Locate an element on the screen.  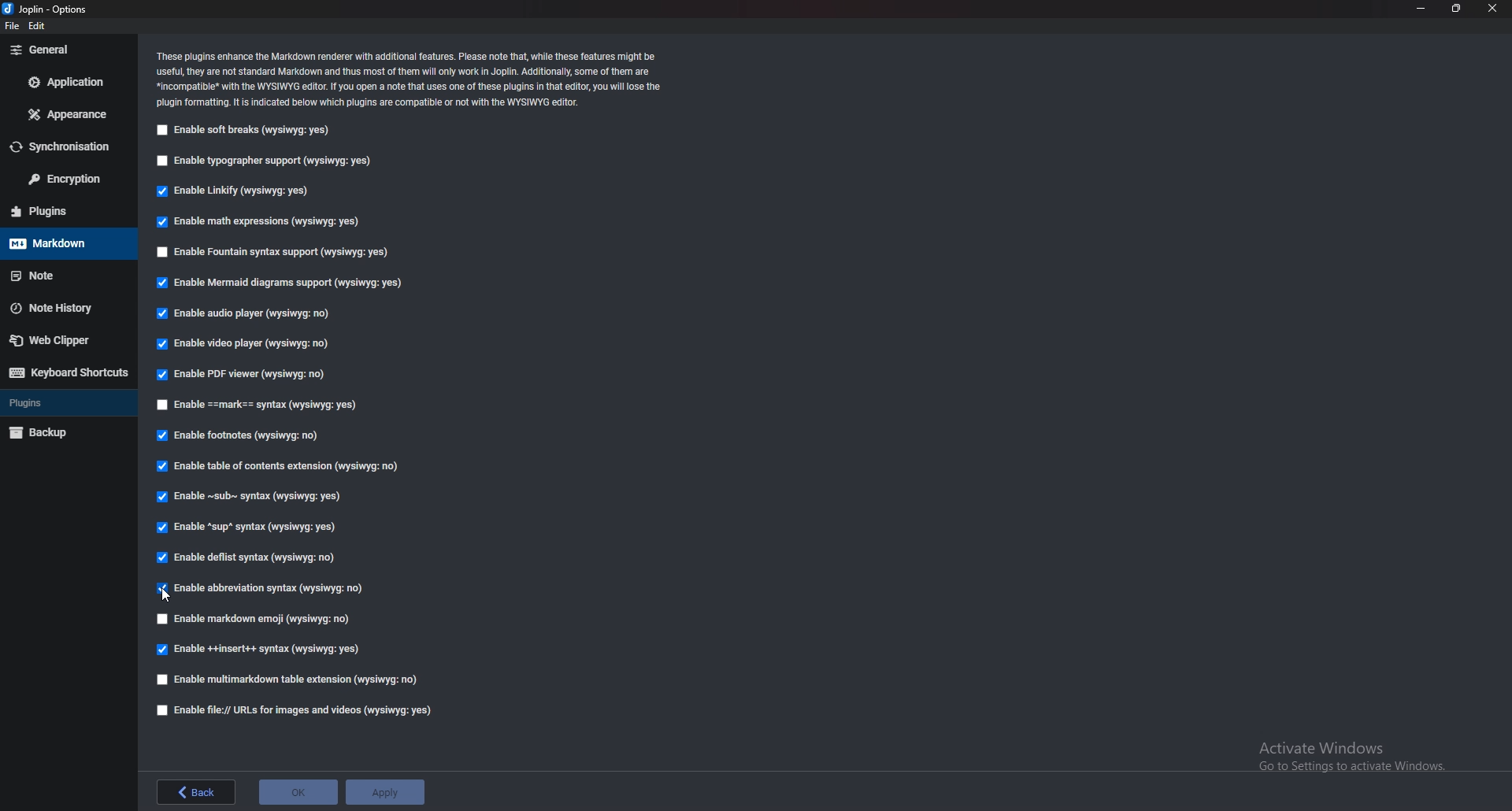
enable sub syntax is located at coordinates (246, 496).